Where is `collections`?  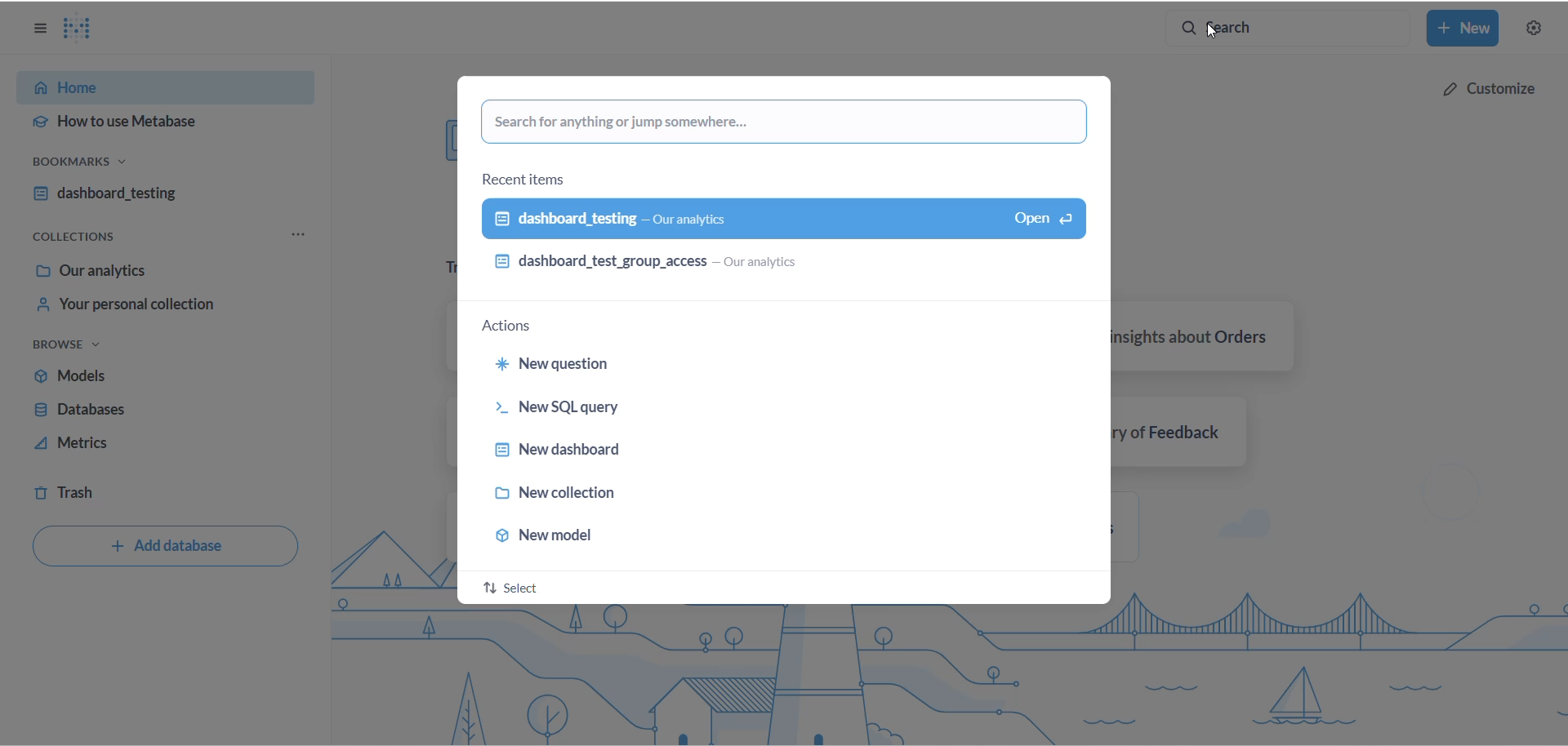
collections is located at coordinates (85, 238).